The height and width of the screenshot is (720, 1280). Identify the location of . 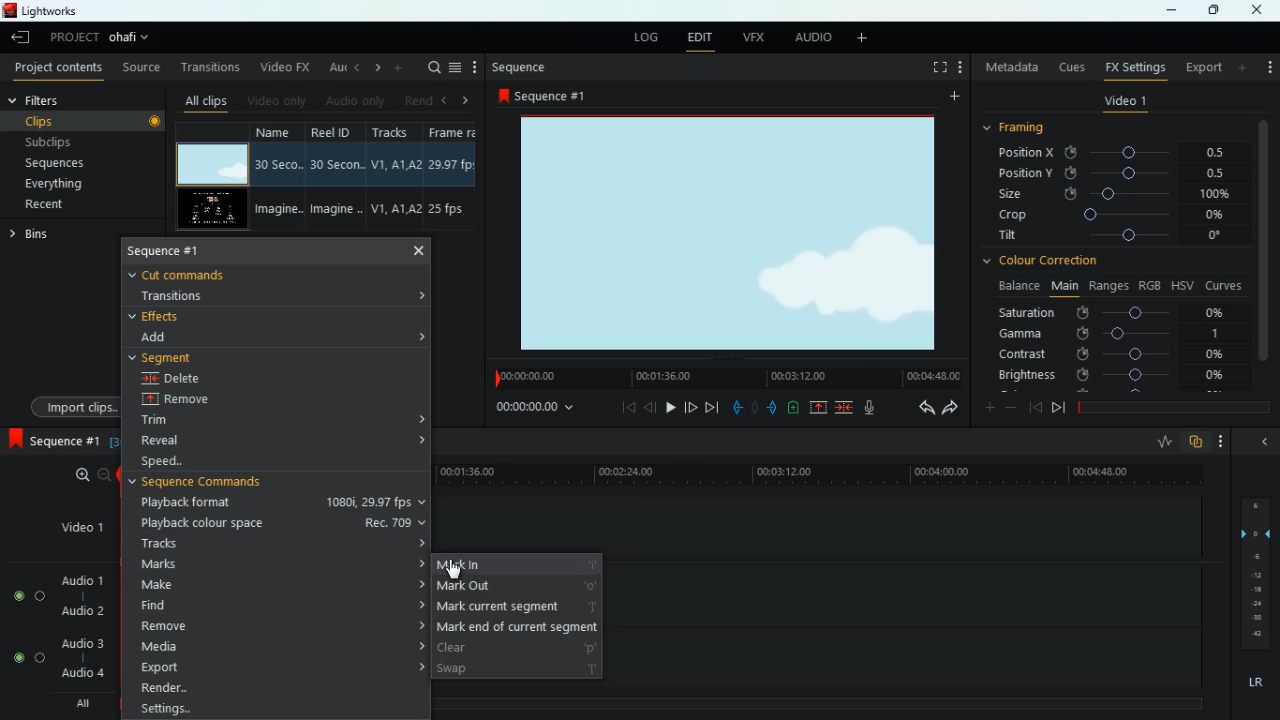
(1256, 619).